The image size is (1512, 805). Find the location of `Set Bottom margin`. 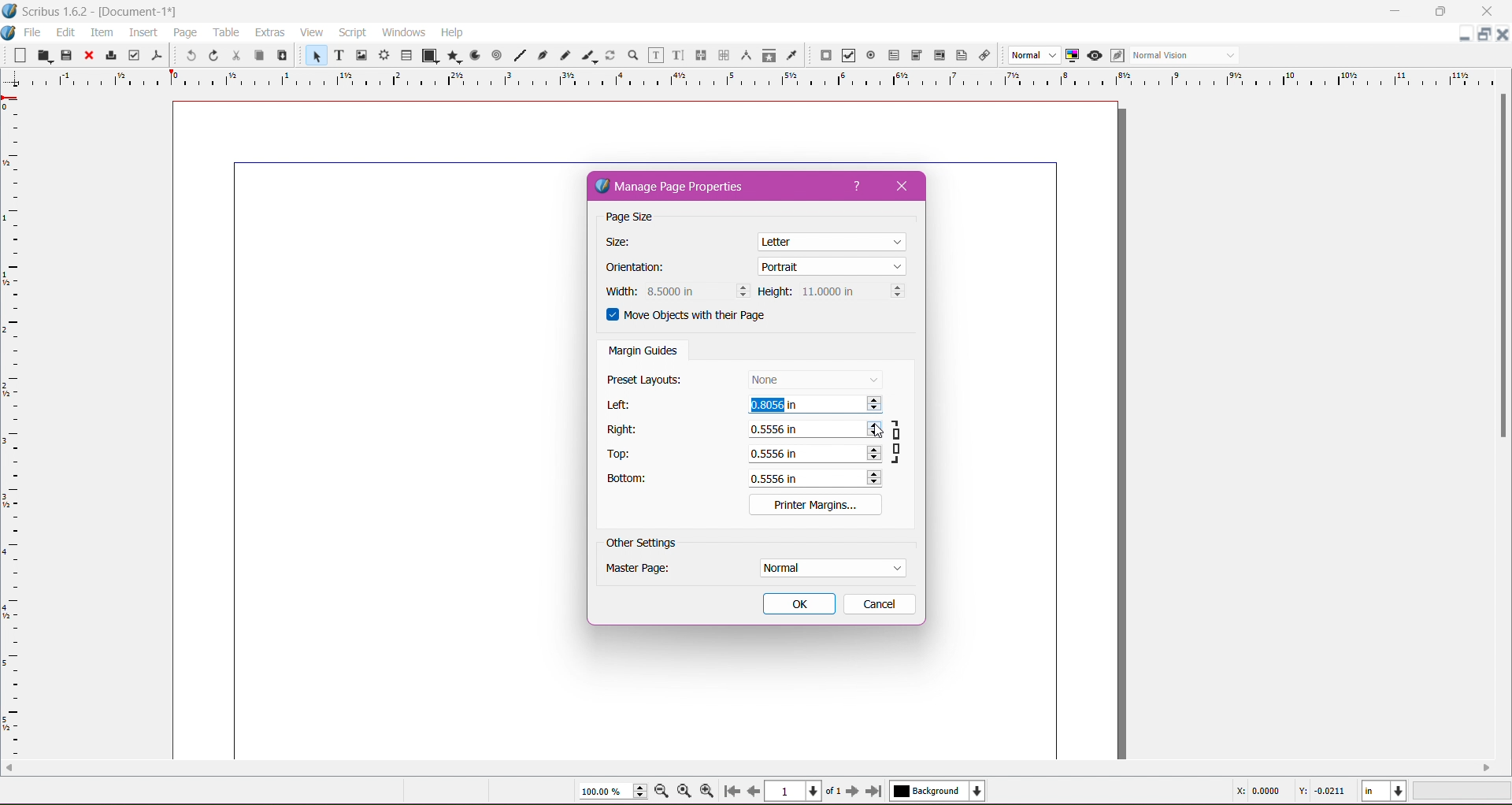

Set Bottom margin is located at coordinates (817, 478).